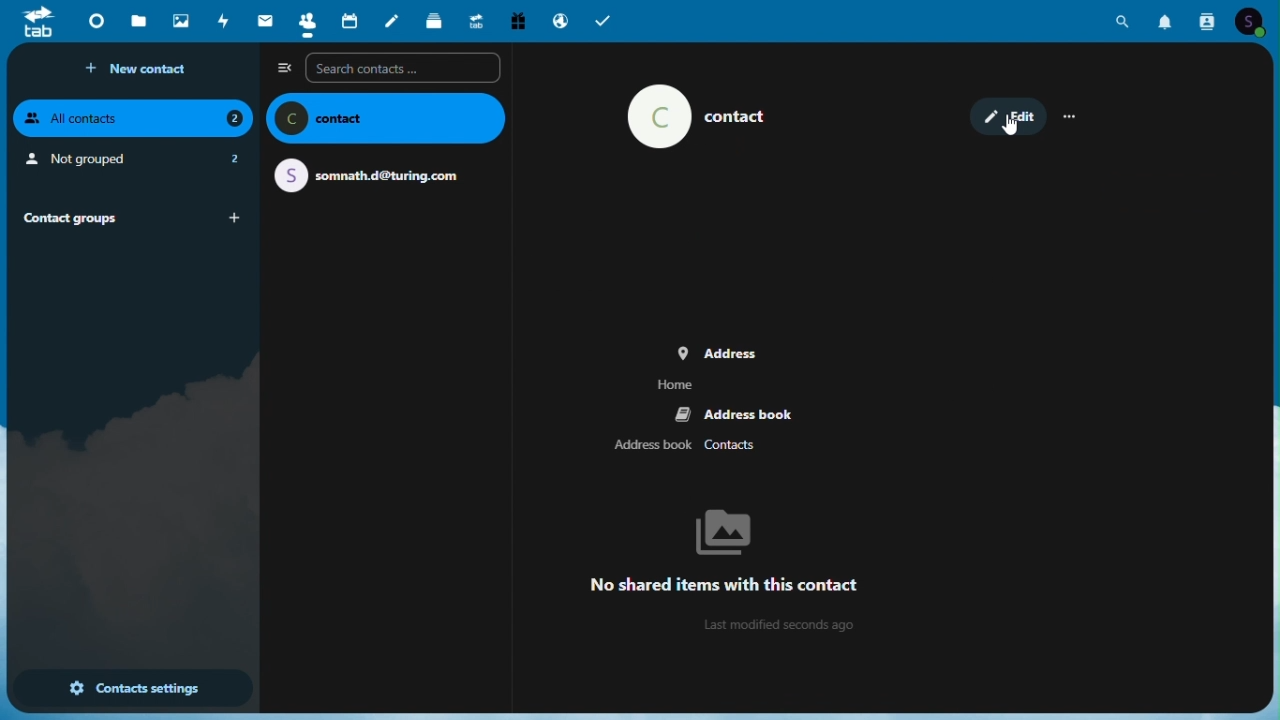 The image size is (1280, 720). I want to click on Account icon, so click(1258, 22).